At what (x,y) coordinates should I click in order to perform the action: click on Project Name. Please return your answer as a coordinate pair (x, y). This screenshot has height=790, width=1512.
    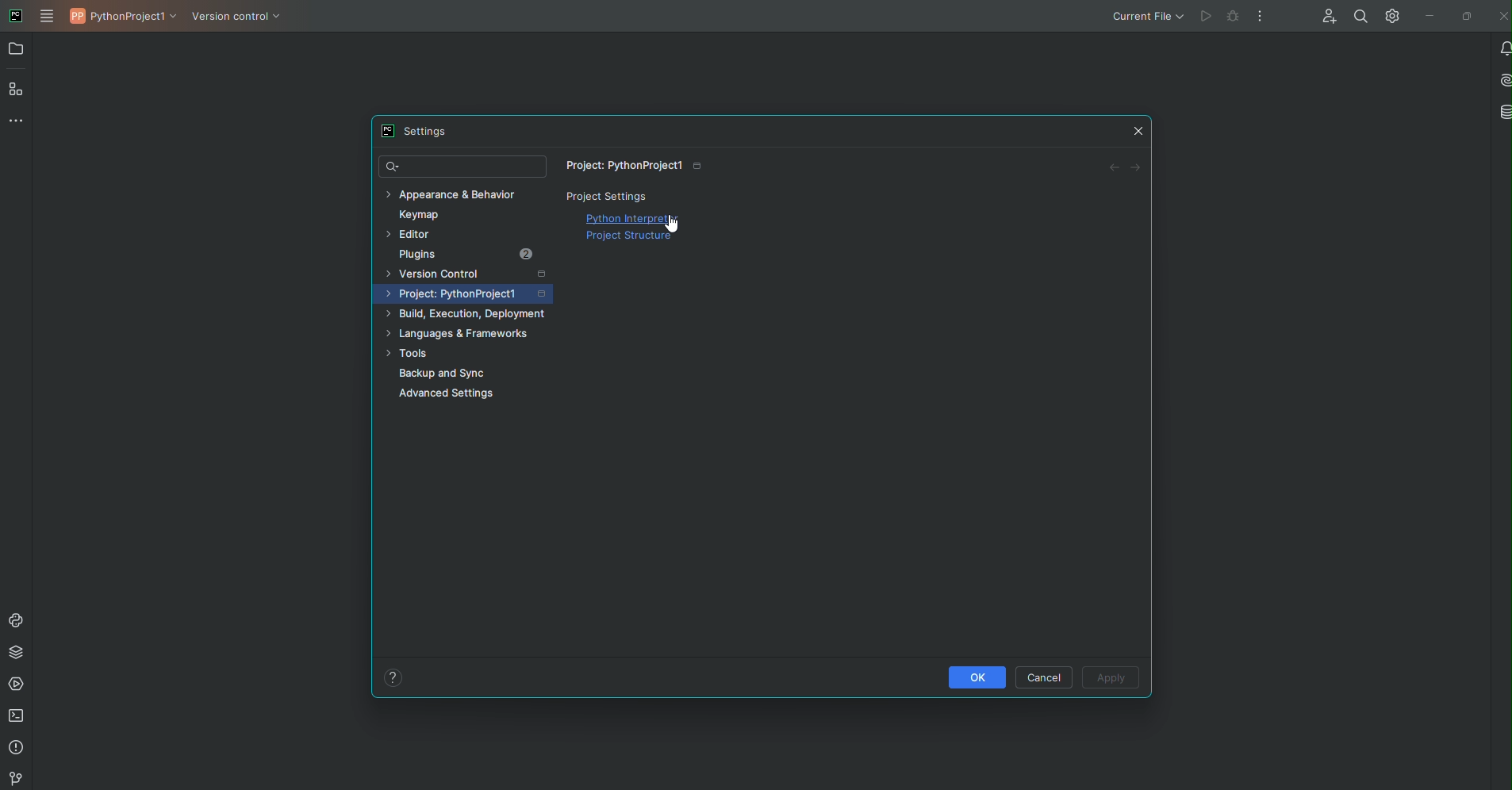
    Looking at the image, I should click on (635, 166).